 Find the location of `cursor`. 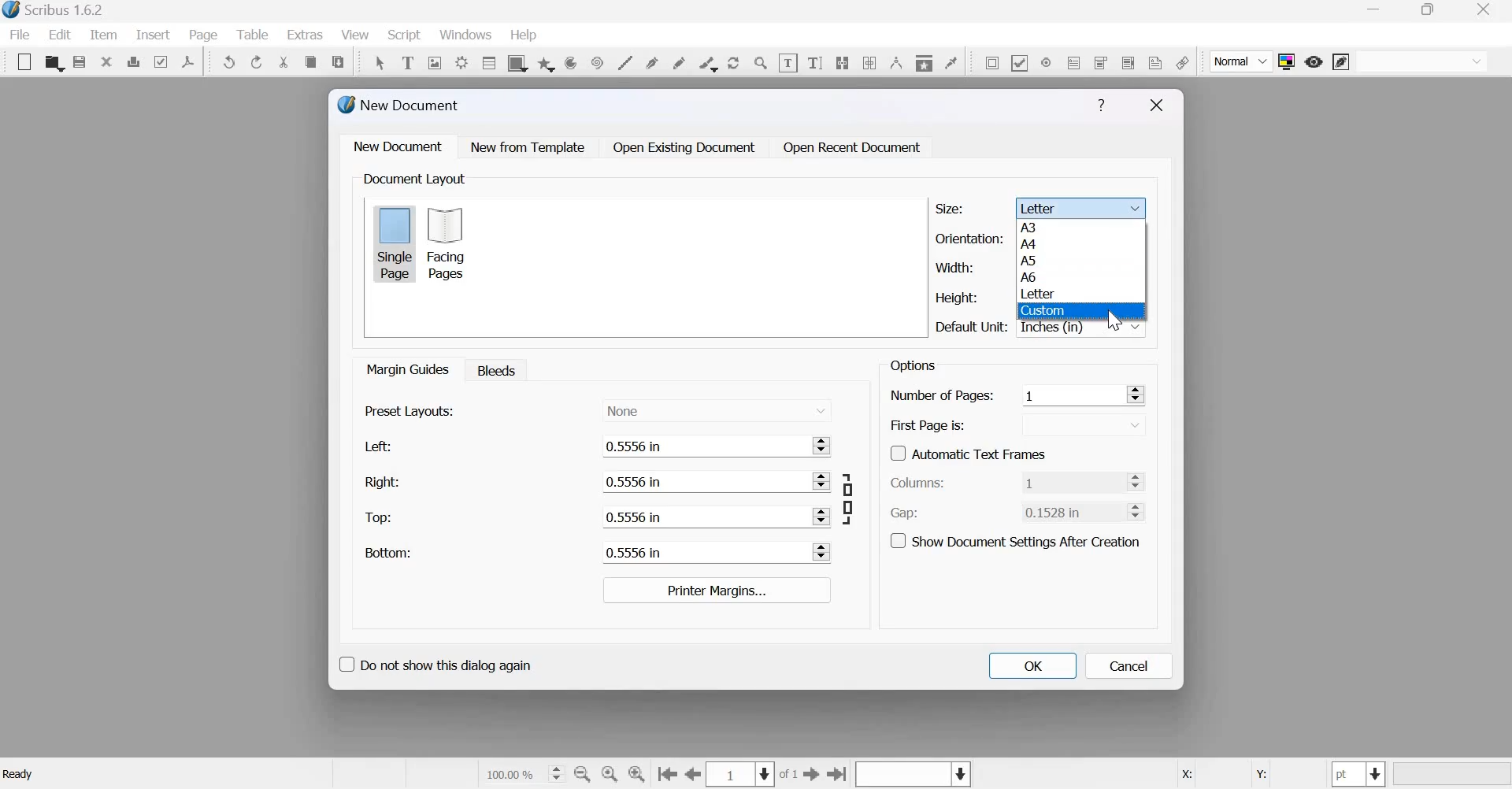

cursor is located at coordinates (1117, 320).